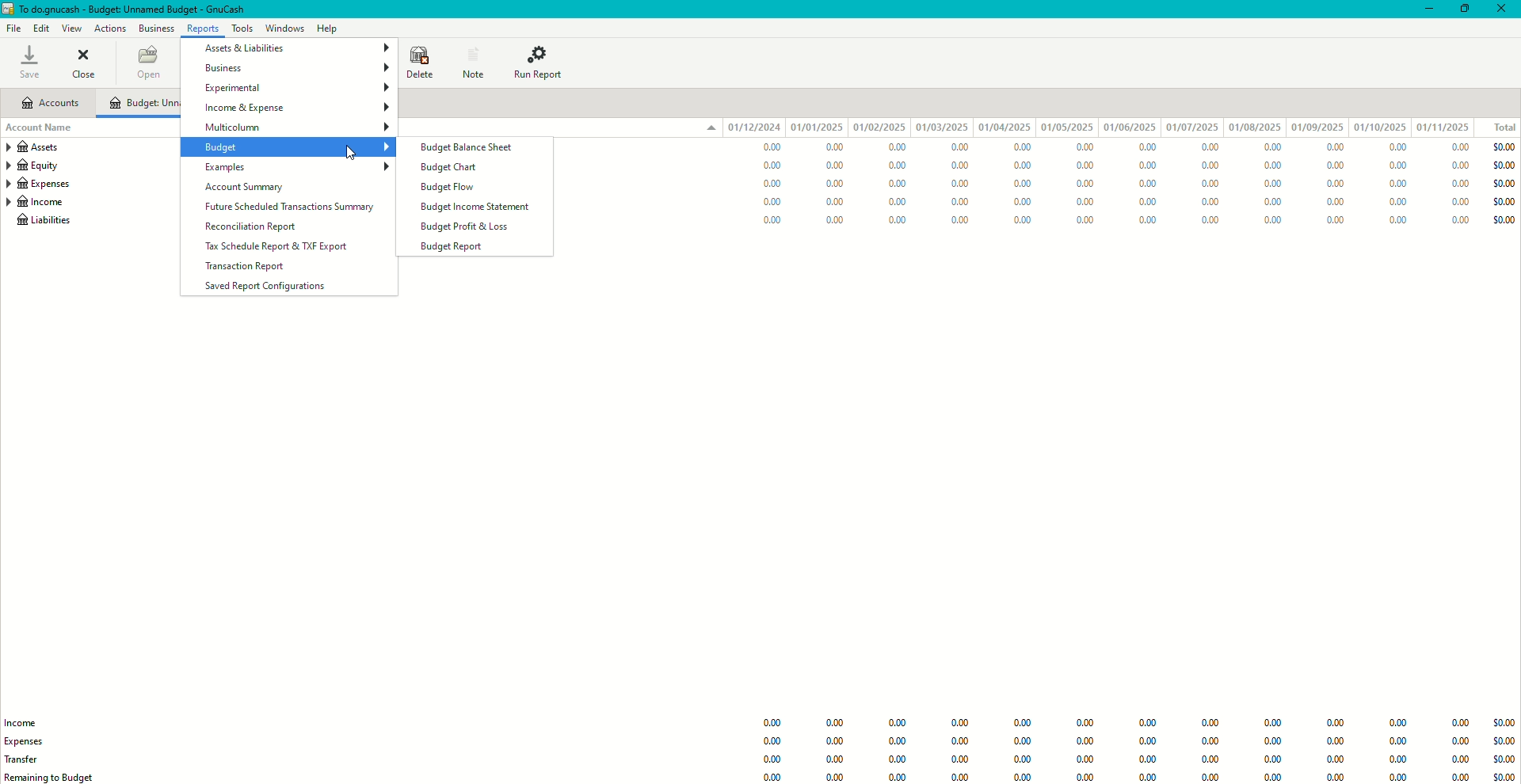  What do you see at coordinates (29, 62) in the screenshot?
I see `Save` at bounding box center [29, 62].